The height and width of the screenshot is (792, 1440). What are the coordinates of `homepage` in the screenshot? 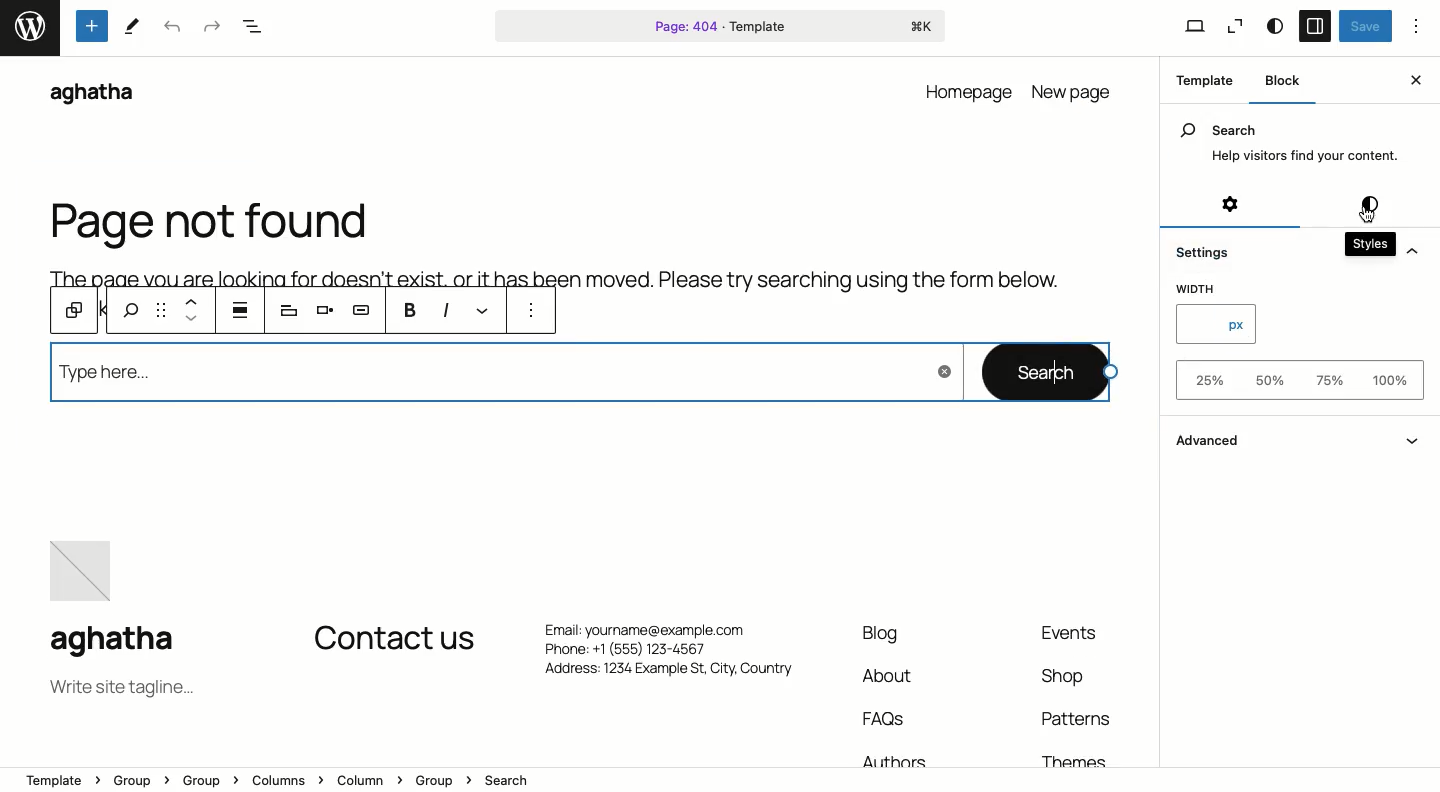 It's located at (970, 90).